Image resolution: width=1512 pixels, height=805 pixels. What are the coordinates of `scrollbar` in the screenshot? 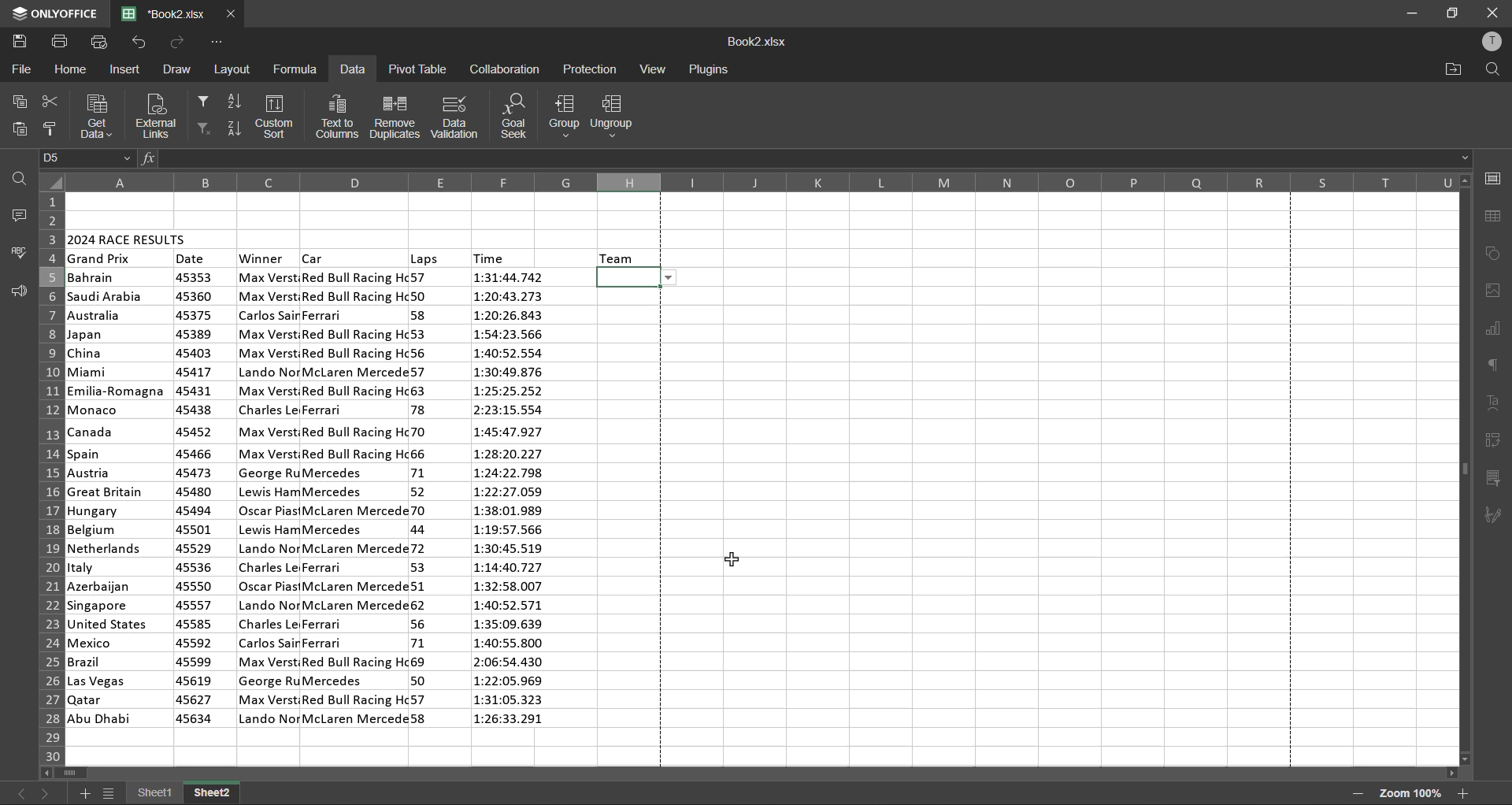 It's located at (751, 775).